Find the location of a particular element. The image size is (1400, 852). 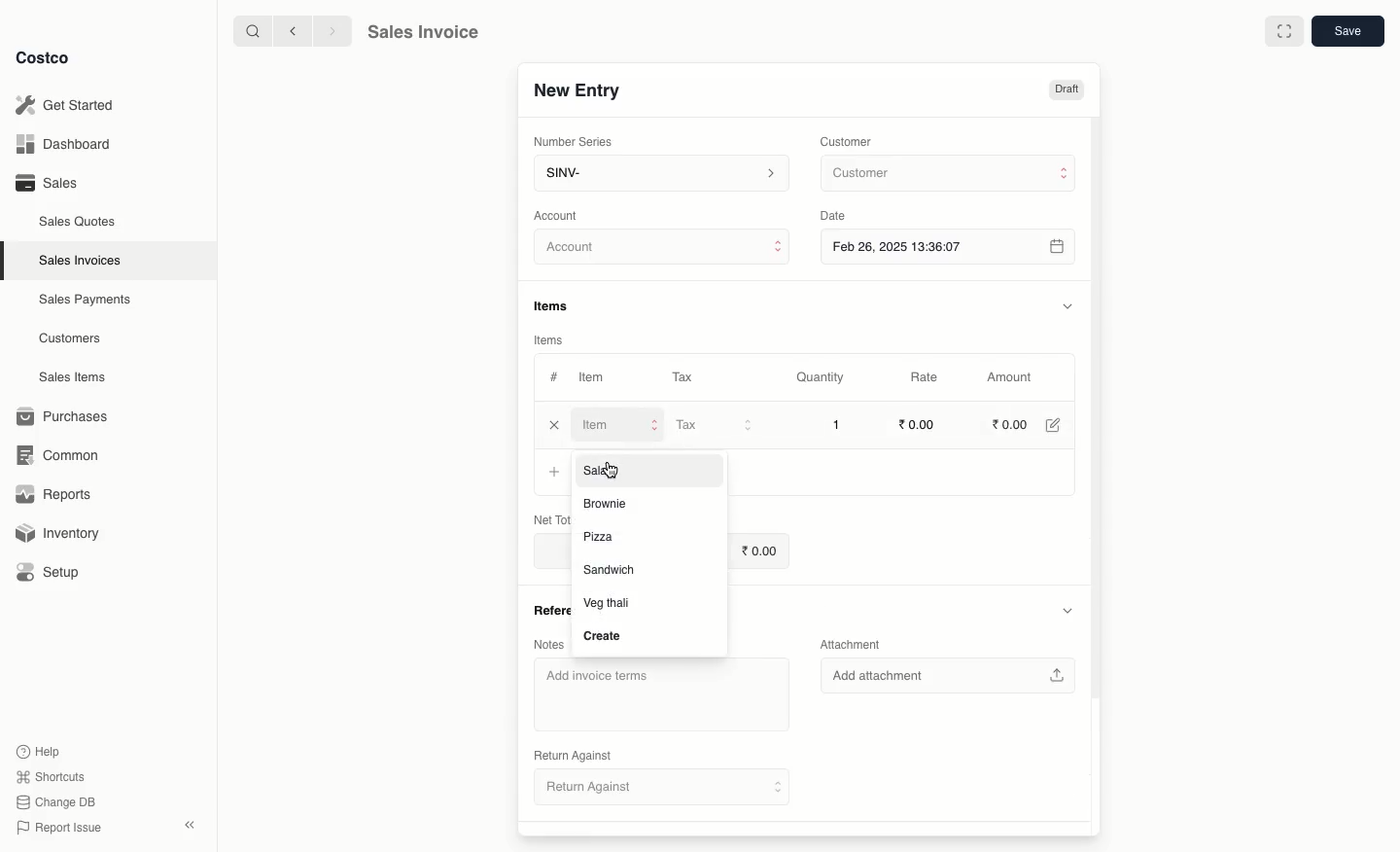

Item is located at coordinates (594, 379).